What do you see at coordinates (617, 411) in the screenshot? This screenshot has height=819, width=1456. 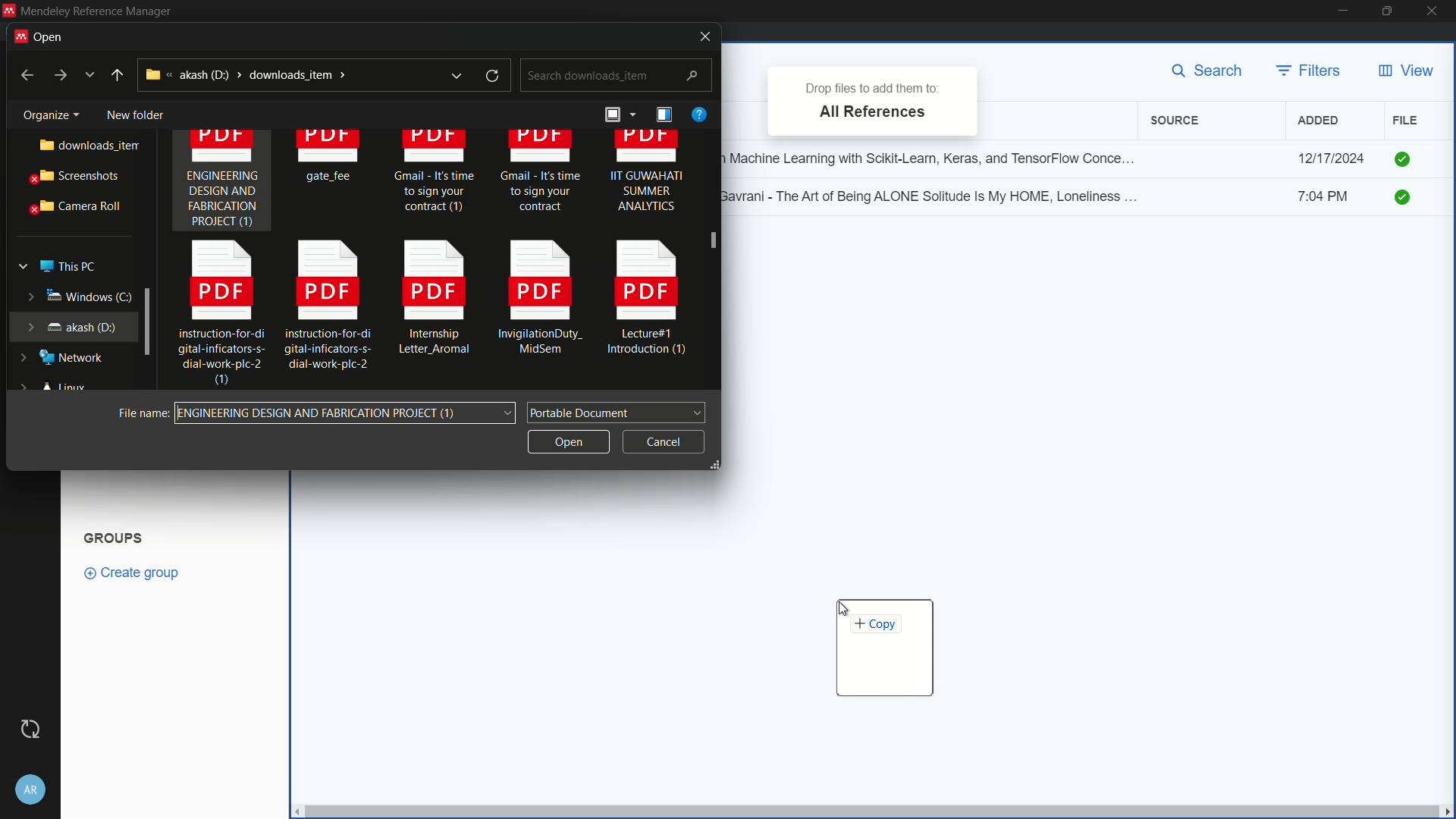 I see `portable document` at bounding box center [617, 411].